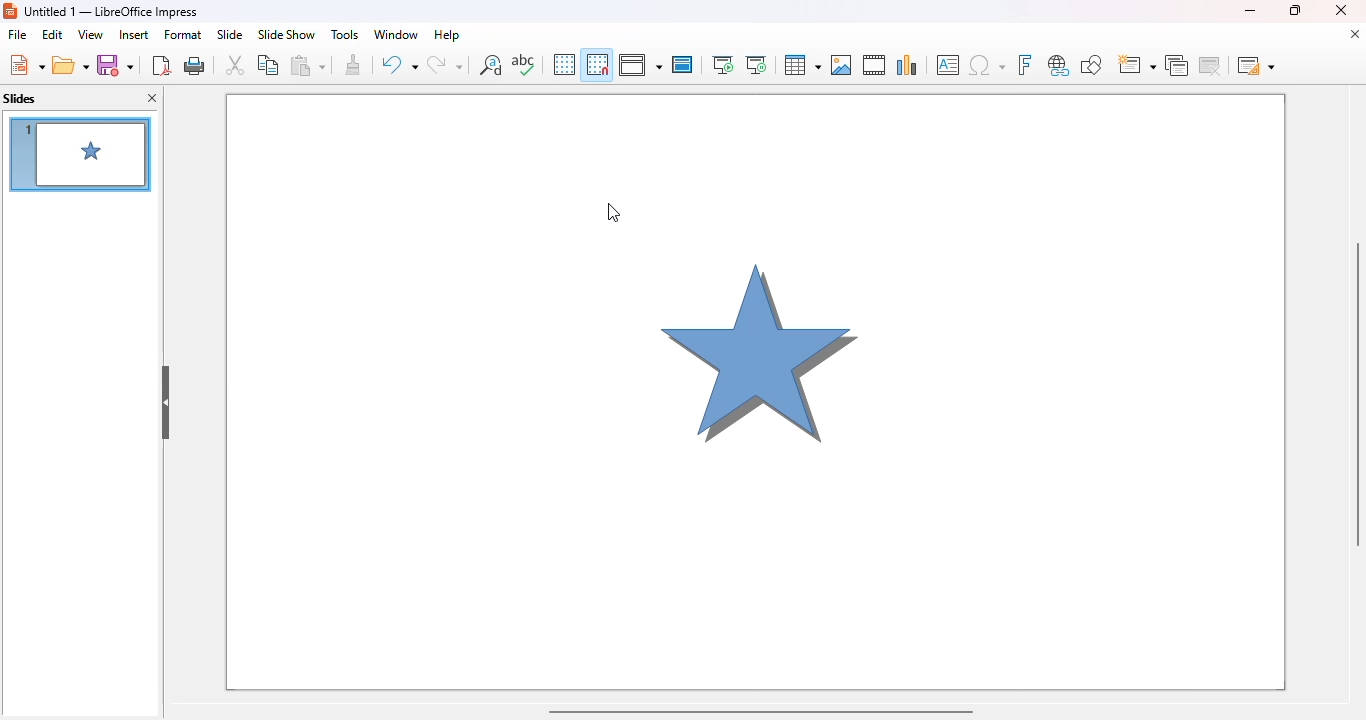  I want to click on vertical scrollbar, so click(1357, 394).